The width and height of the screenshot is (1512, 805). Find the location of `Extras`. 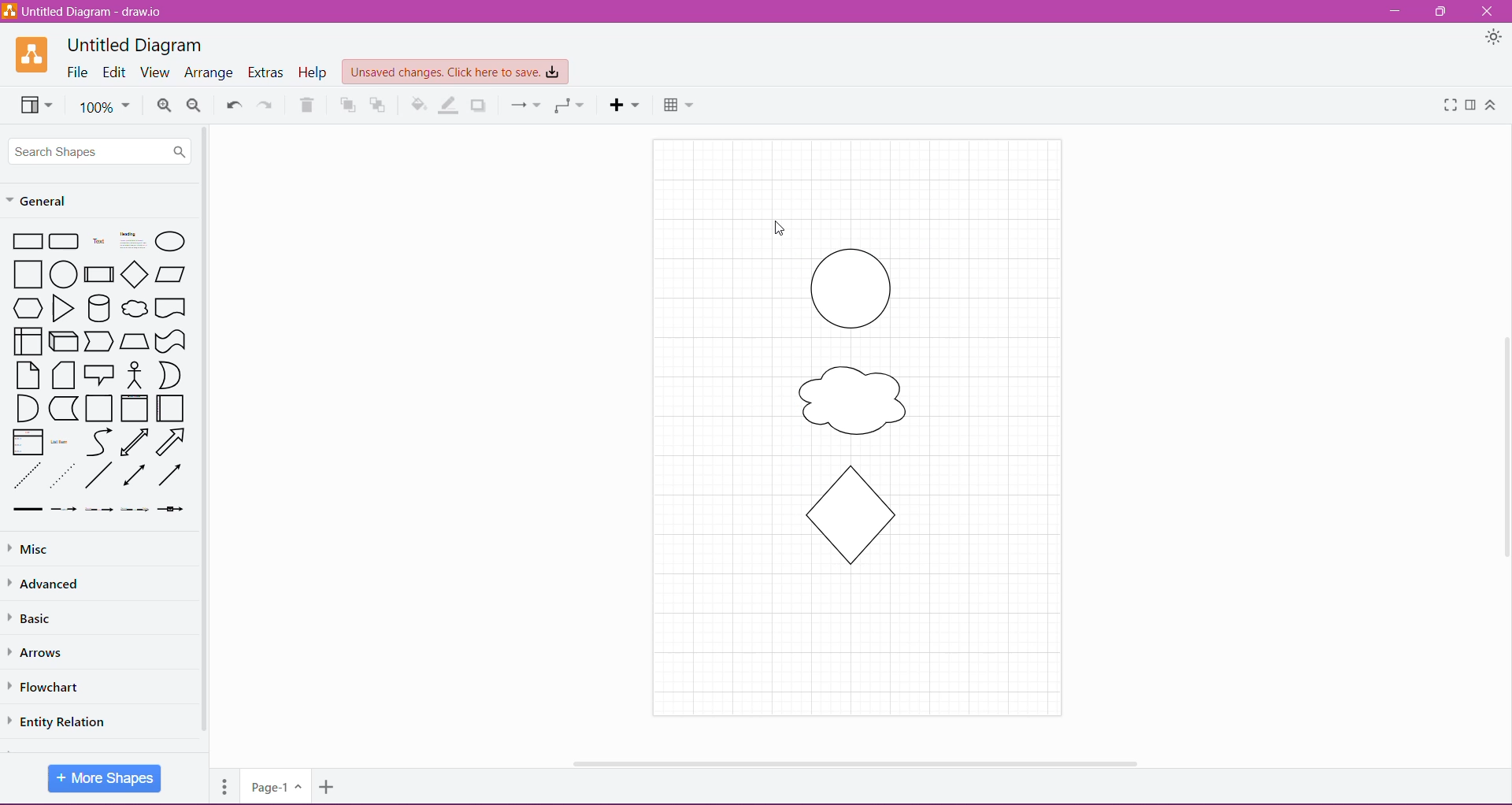

Extras is located at coordinates (267, 72).